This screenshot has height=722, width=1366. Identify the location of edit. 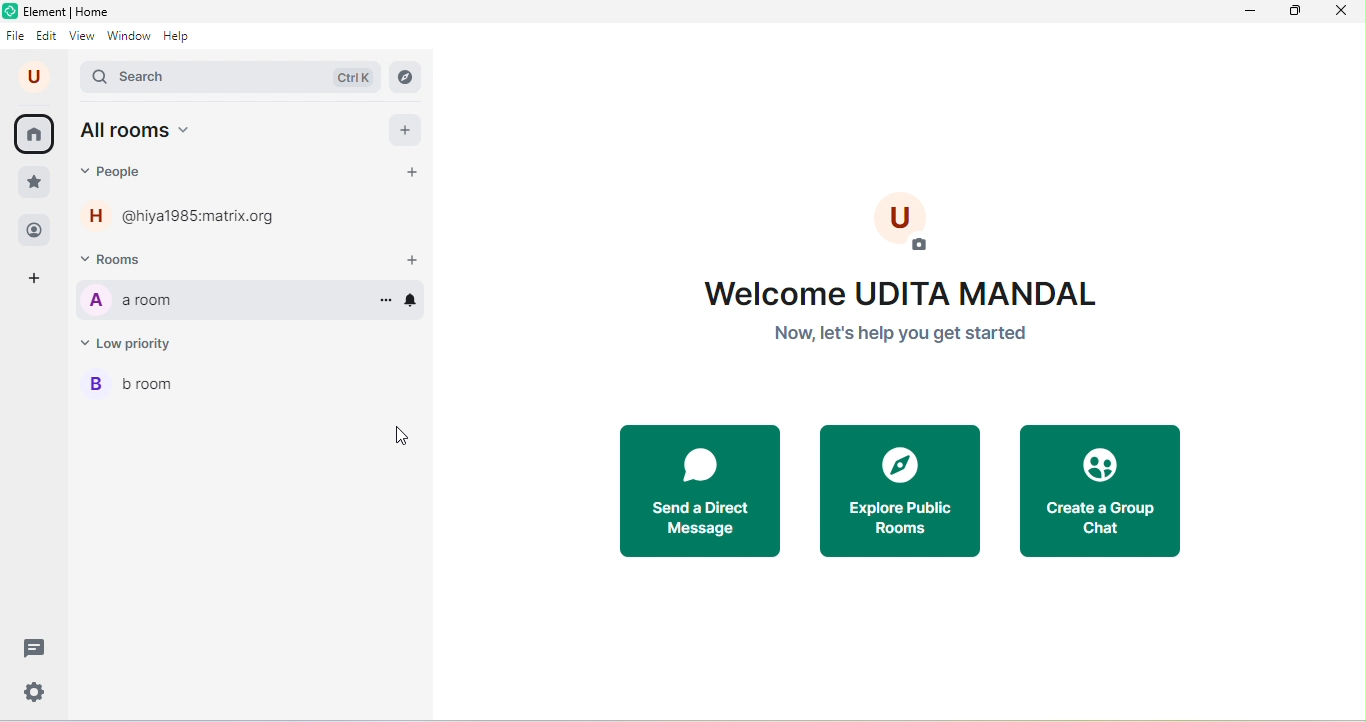
(46, 37).